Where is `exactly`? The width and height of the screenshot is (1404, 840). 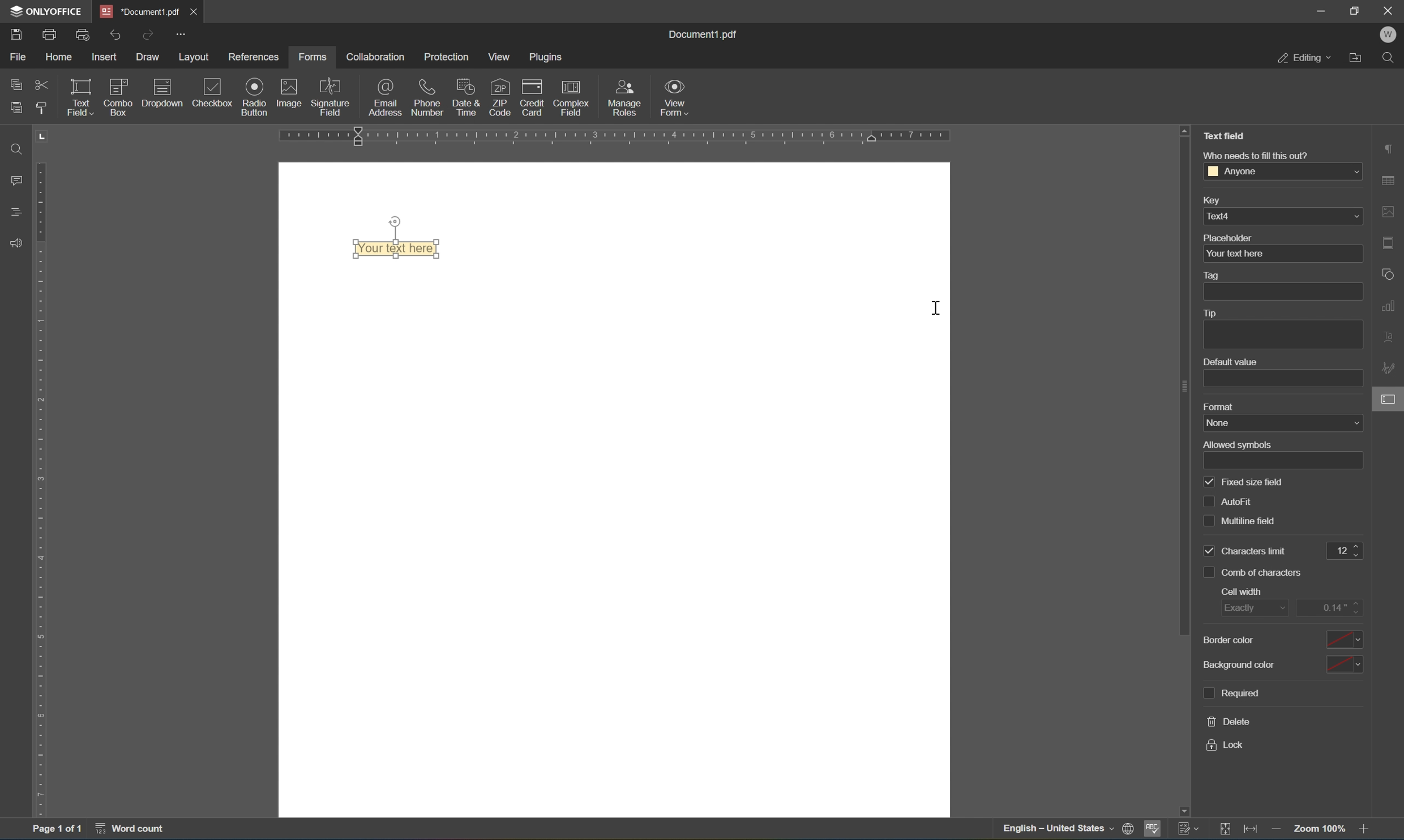
exactly is located at coordinates (1254, 606).